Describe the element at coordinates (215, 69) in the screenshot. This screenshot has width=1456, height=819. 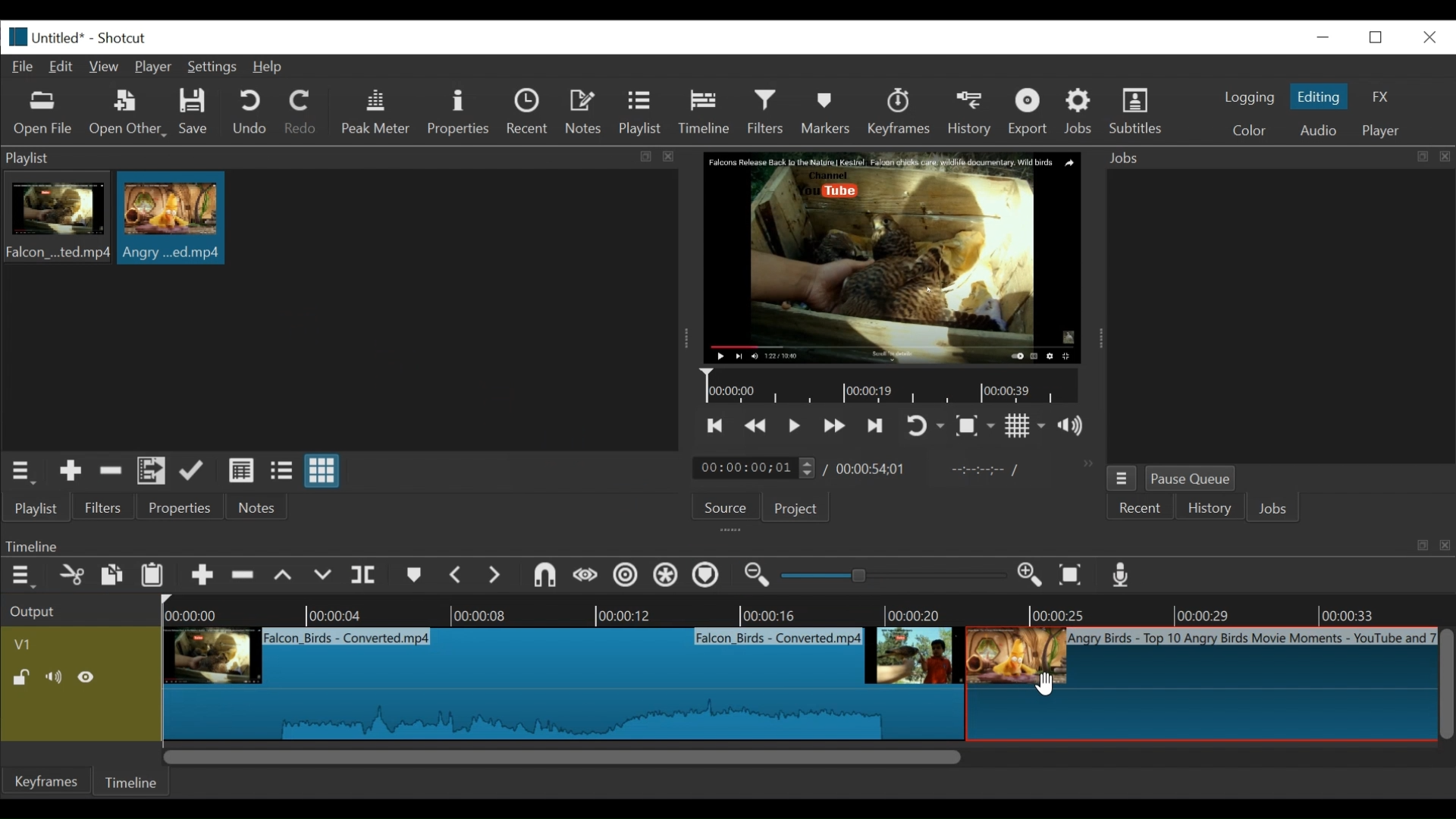
I see `Settings` at that location.